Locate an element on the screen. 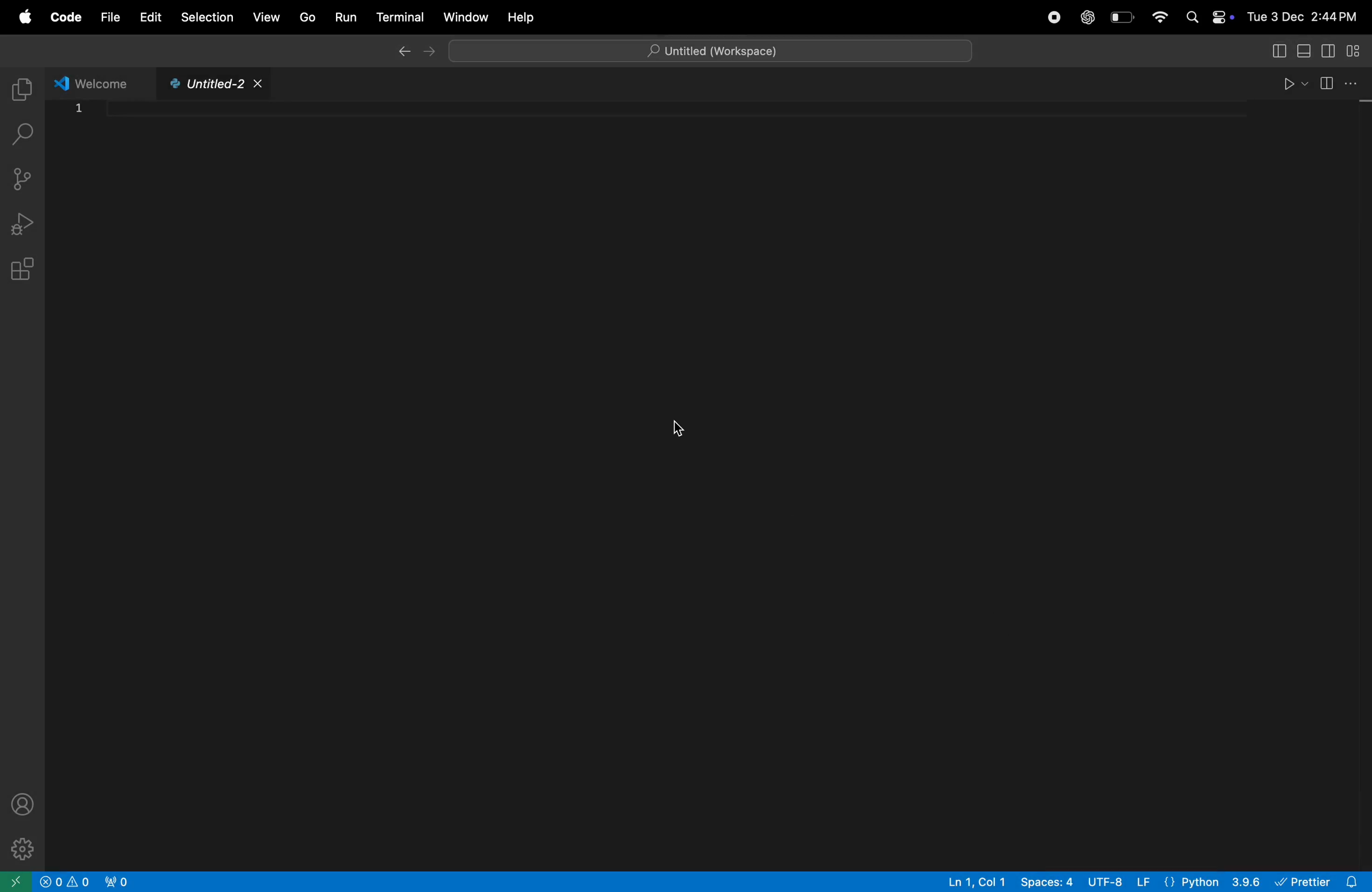 Image resolution: width=1372 pixels, height=892 pixels. no active ports is located at coordinates (121, 882).